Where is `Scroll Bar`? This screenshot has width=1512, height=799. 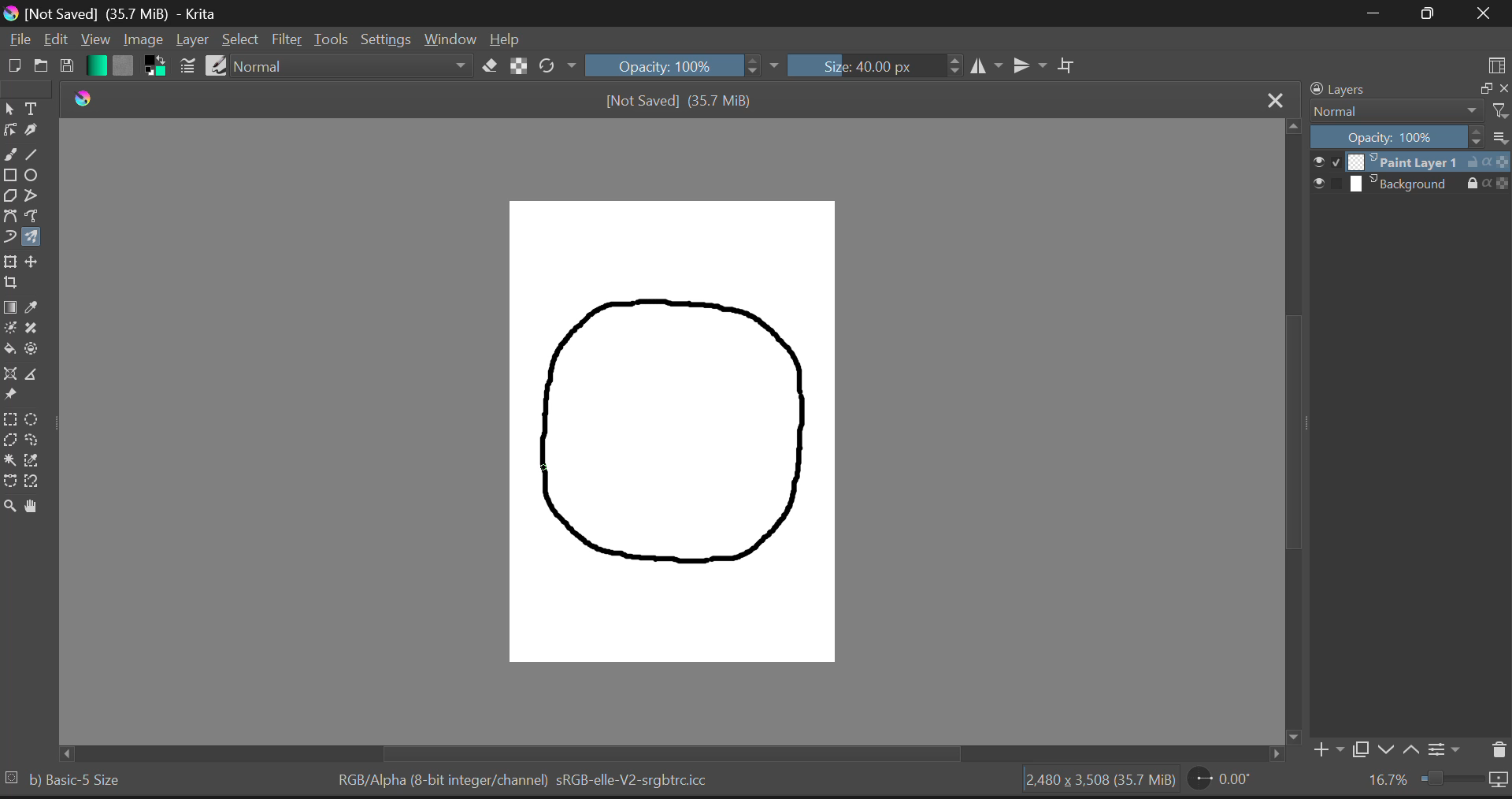
Scroll Bar is located at coordinates (1293, 422).